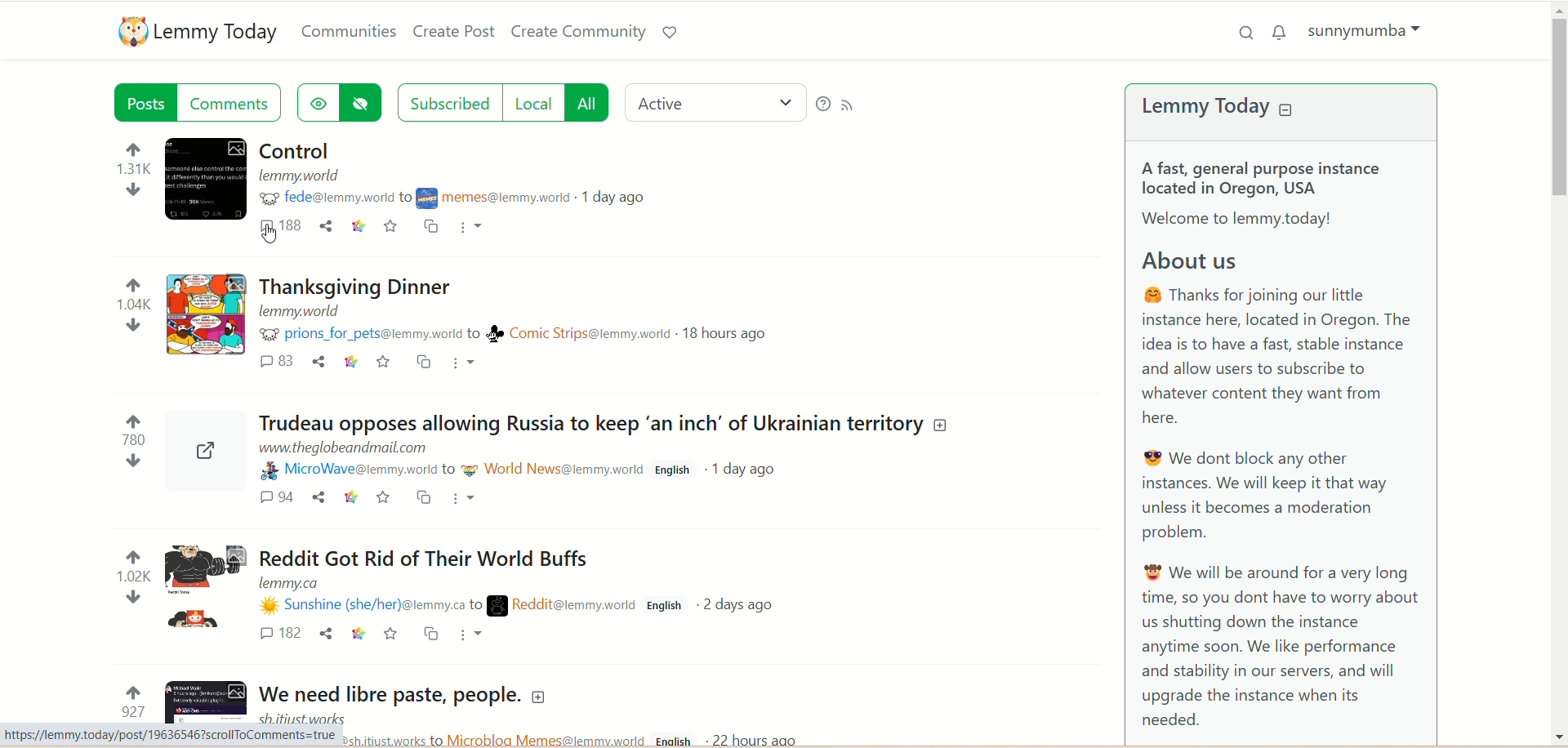  What do you see at coordinates (125, 579) in the screenshot?
I see `votes up and down` at bounding box center [125, 579].